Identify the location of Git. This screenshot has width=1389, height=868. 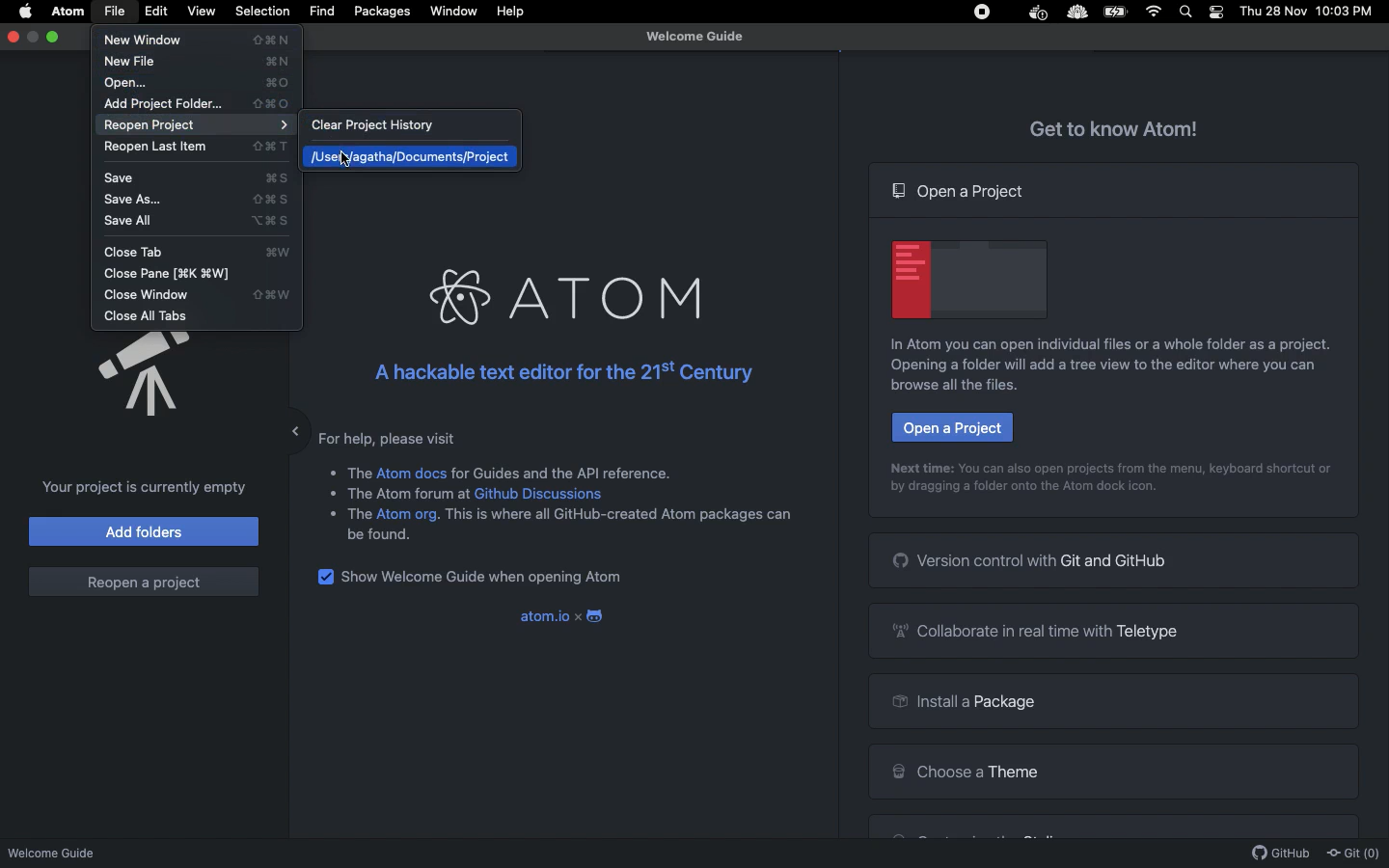
(1352, 854).